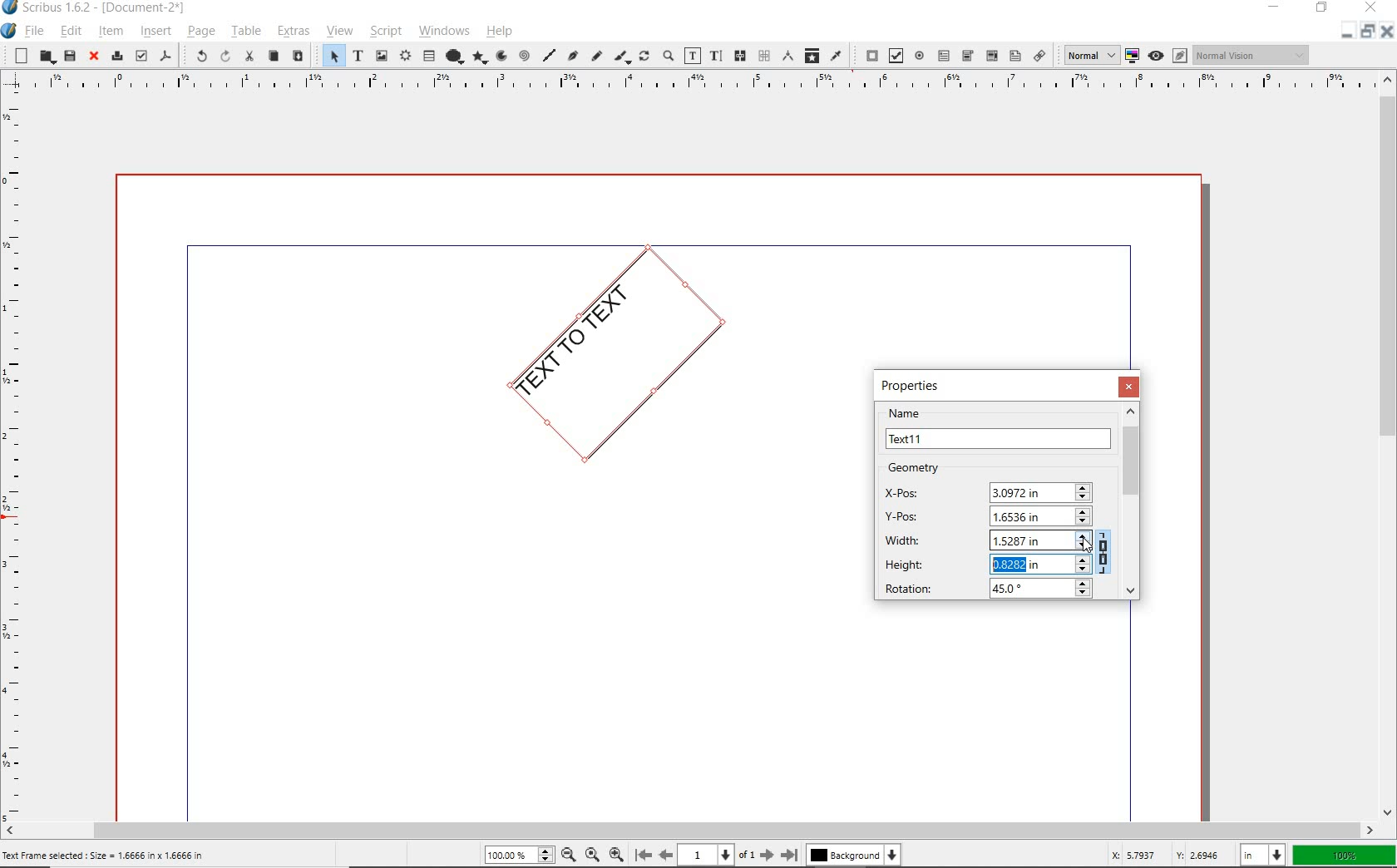  What do you see at coordinates (1014, 57) in the screenshot?
I see `pdf list box` at bounding box center [1014, 57].